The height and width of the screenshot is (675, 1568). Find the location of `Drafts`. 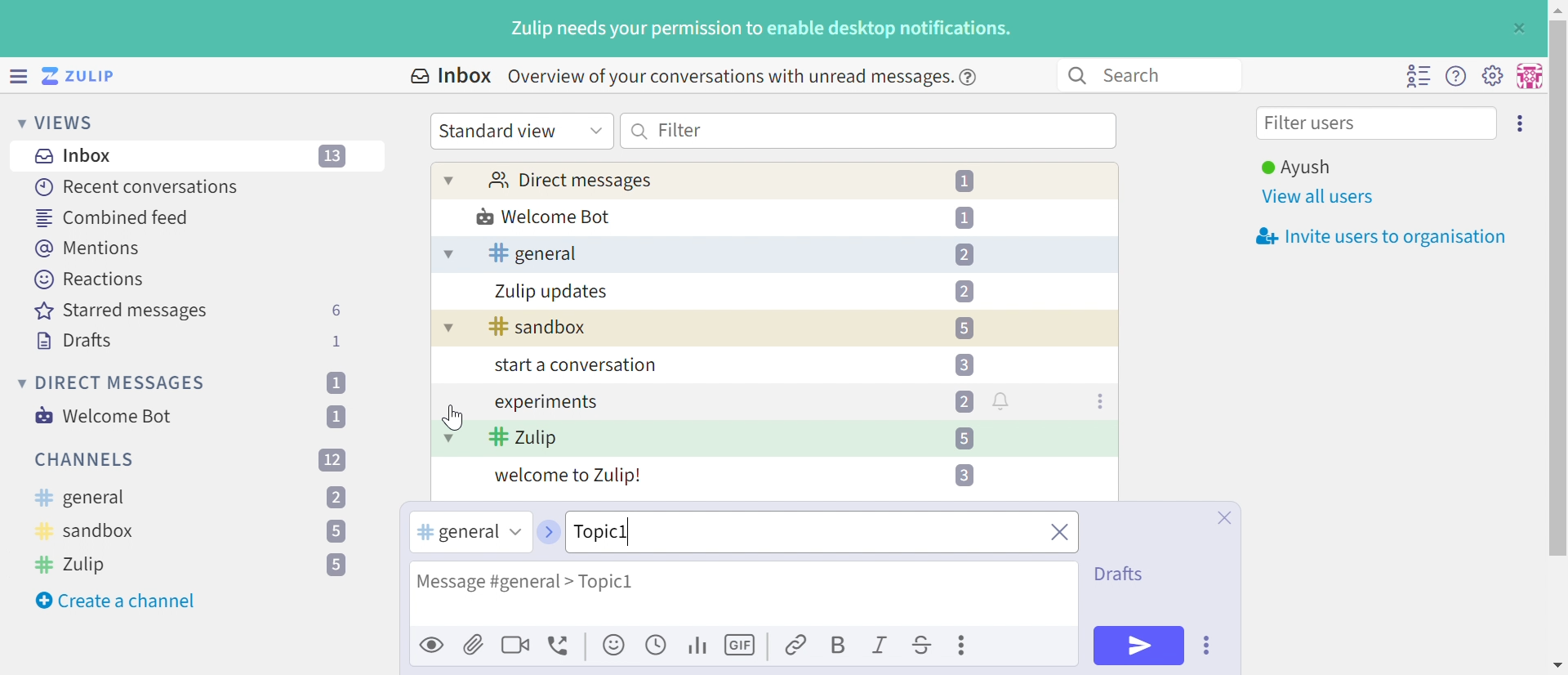

Drafts is located at coordinates (1123, 572).